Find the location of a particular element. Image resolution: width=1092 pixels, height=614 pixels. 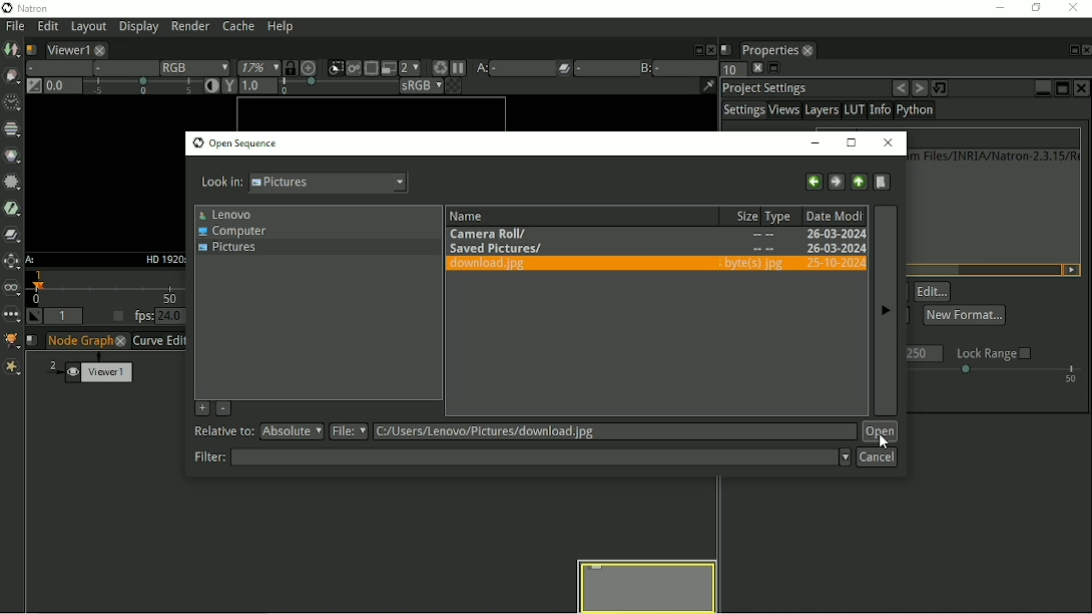

Script name is located at coordinates (726, 48).